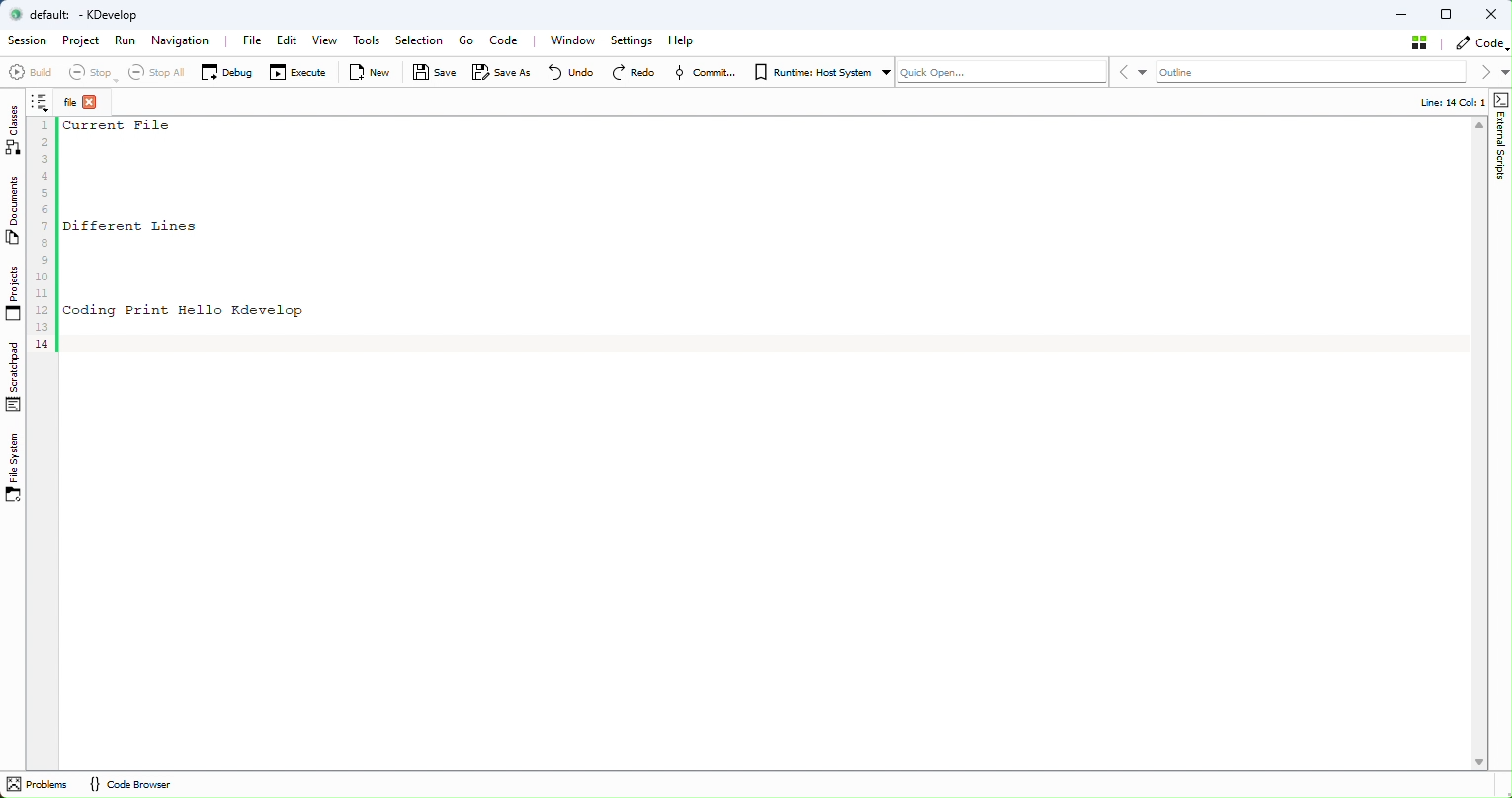 Image resolution: width=1512 pixels, height=798 pixels. I want to click on Build, so click(30, 75).